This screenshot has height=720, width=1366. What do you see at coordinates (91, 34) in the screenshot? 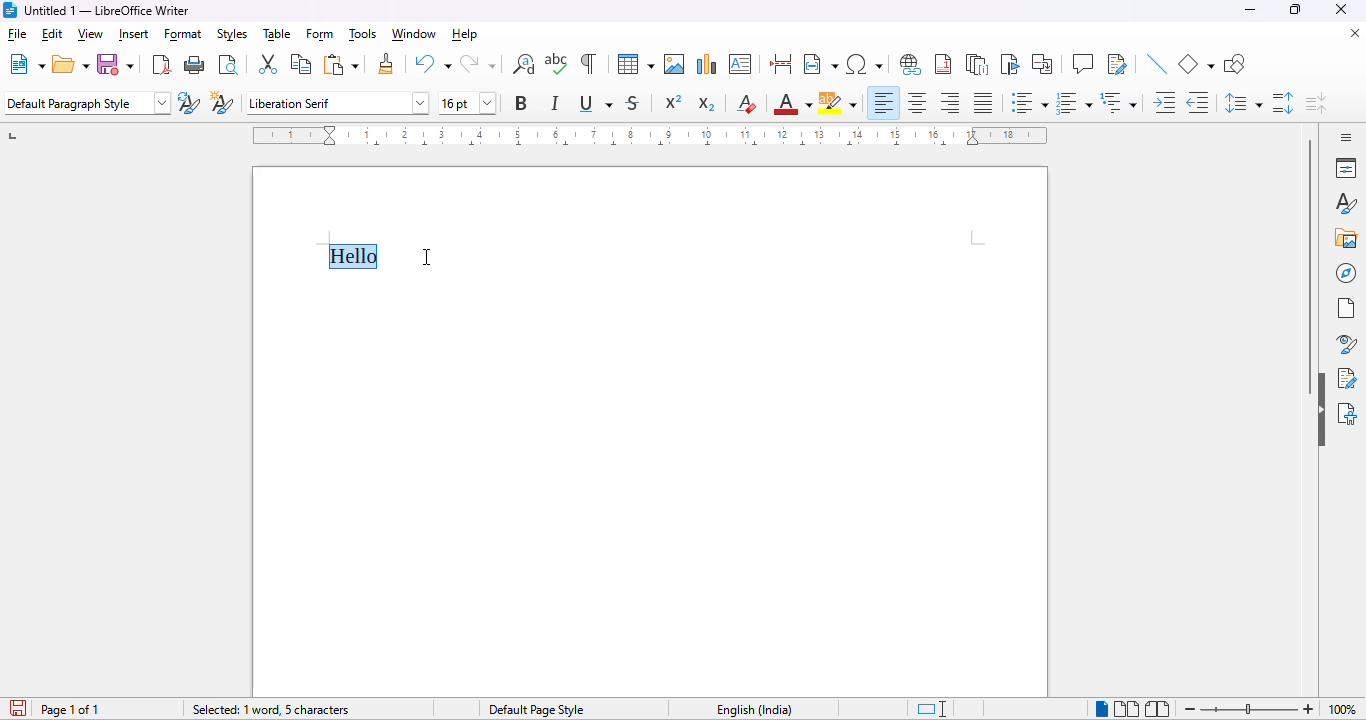
I see `view` at bounding box center [91, 34].